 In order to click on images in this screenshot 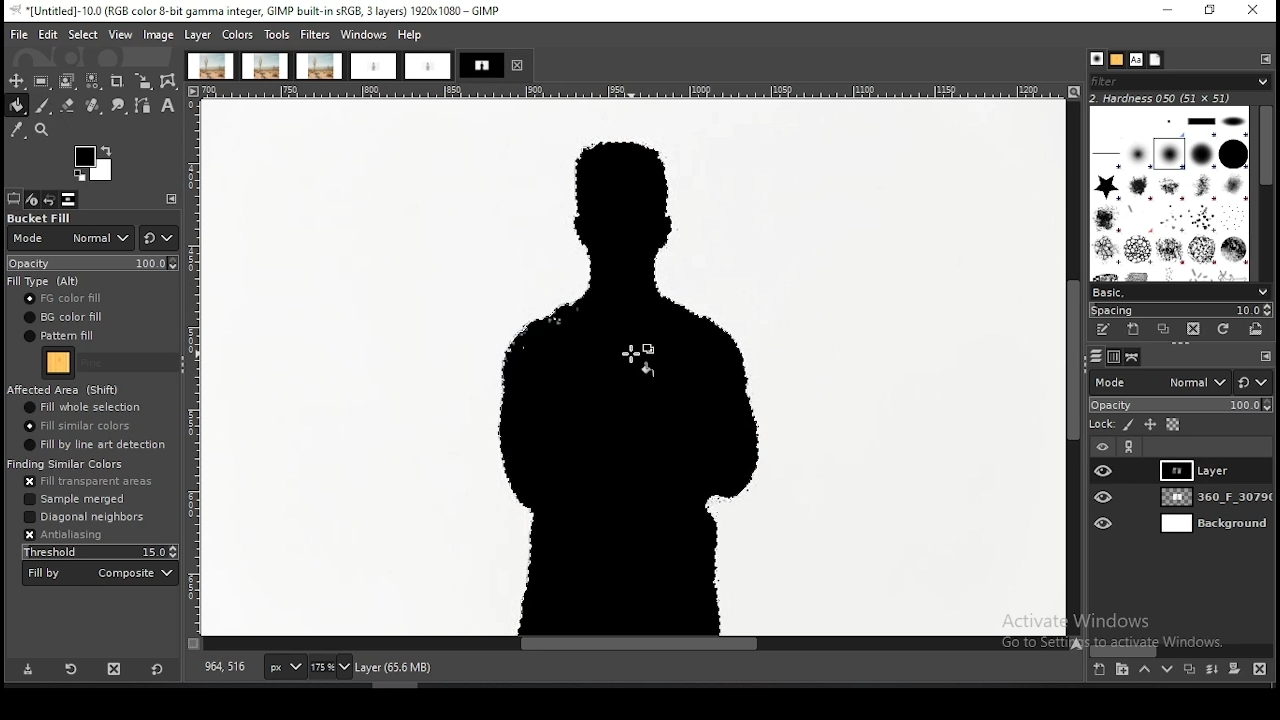, I will do `click(69, 200)`.